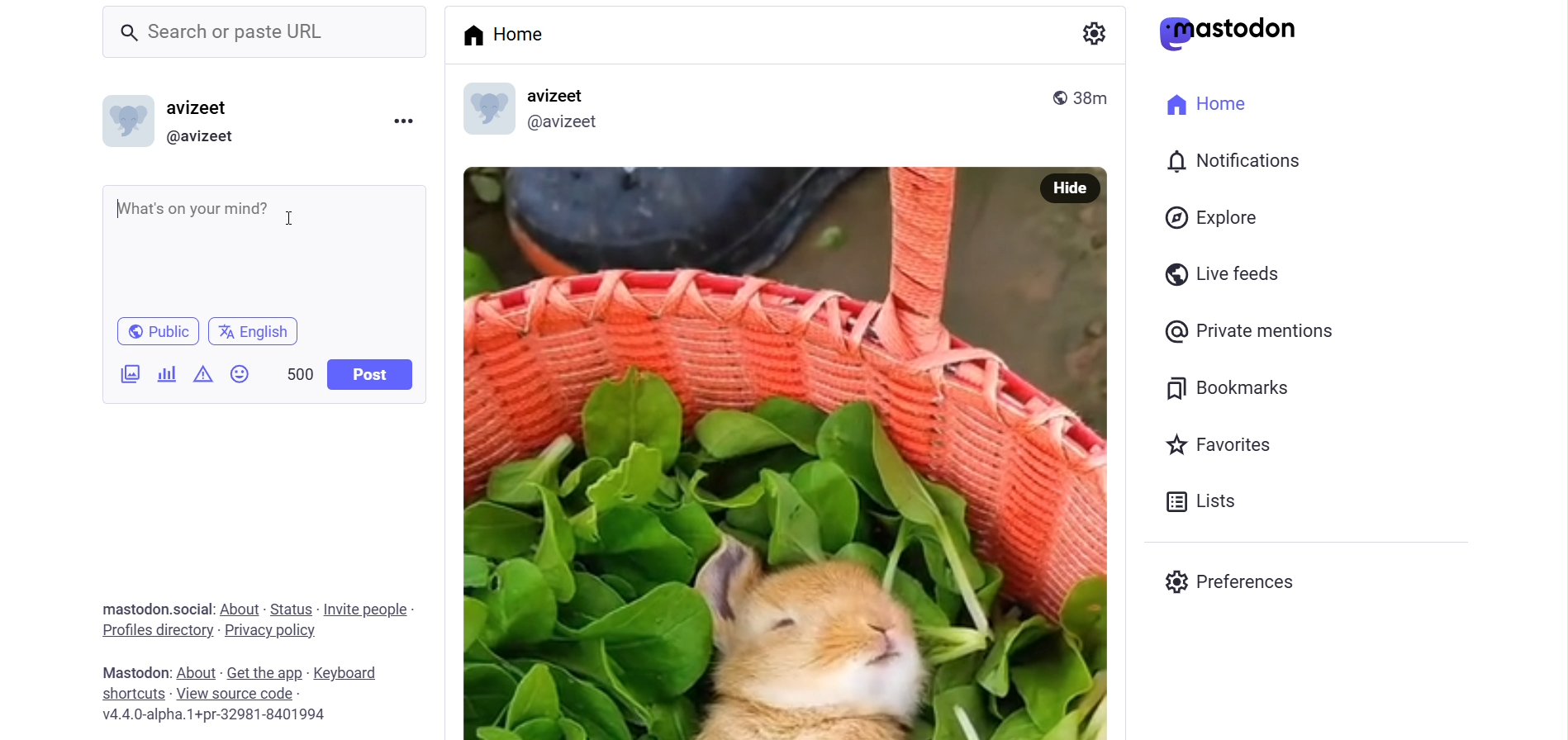  Describe the element at coordinates (1205, 501) in the screenshot. I see `Lists` at that location.